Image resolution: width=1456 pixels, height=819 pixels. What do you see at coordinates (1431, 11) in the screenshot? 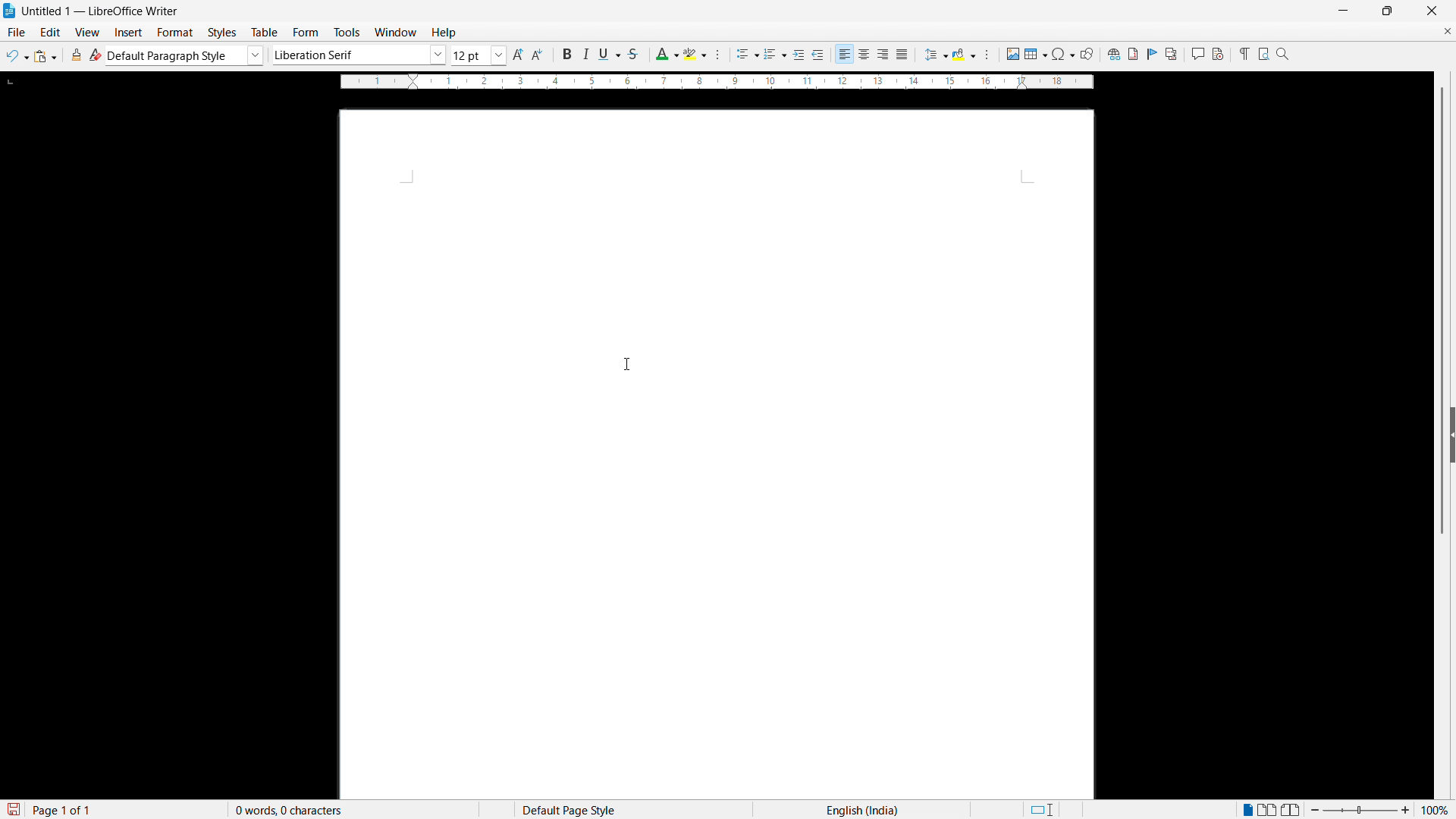
I see `Close ` at bounding box center [1431, 11].